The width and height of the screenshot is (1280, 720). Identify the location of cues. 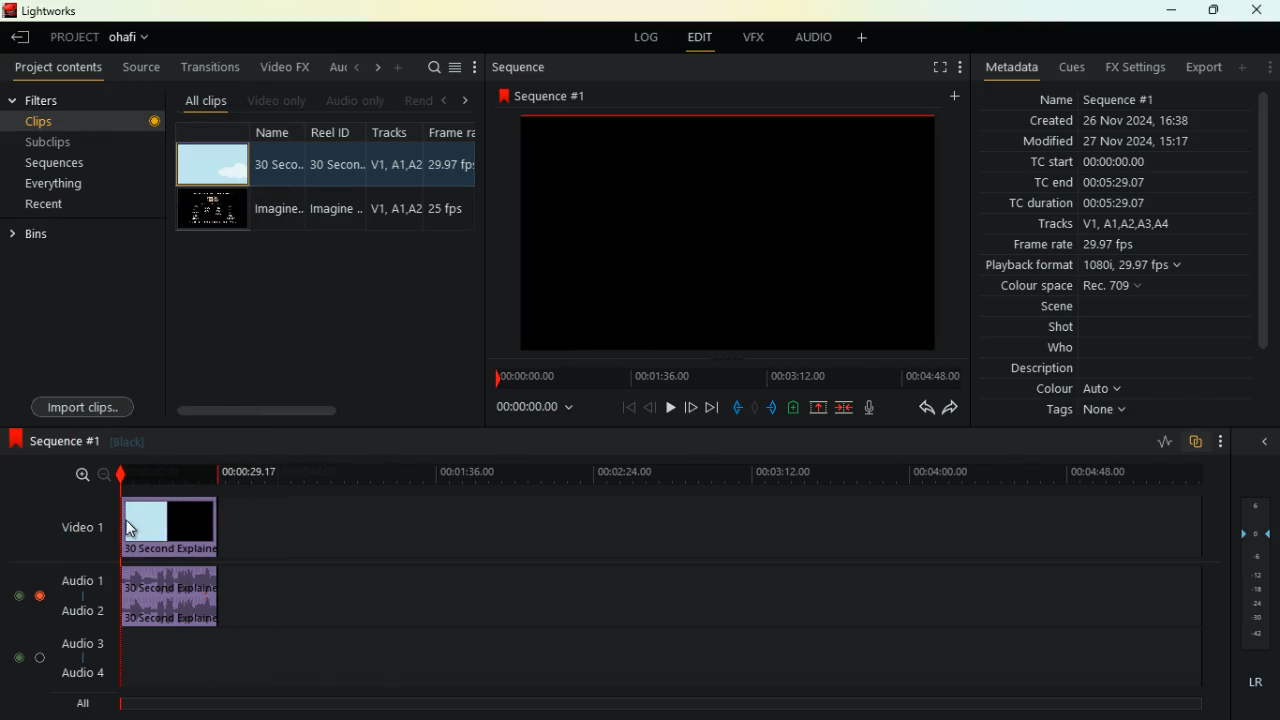
(1074, 68).